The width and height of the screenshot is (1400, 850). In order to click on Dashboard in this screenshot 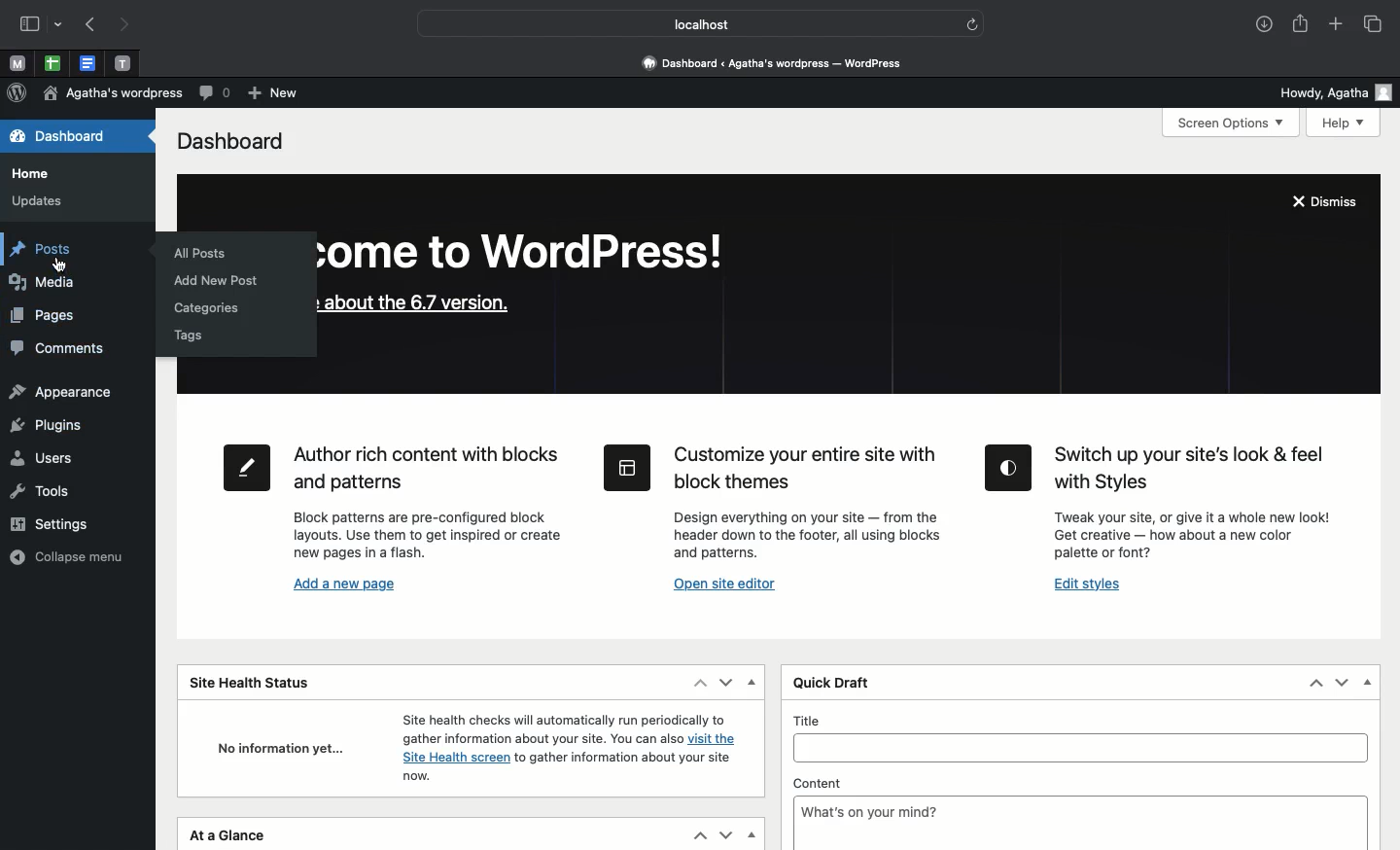, I will do `click(230, 140)`.